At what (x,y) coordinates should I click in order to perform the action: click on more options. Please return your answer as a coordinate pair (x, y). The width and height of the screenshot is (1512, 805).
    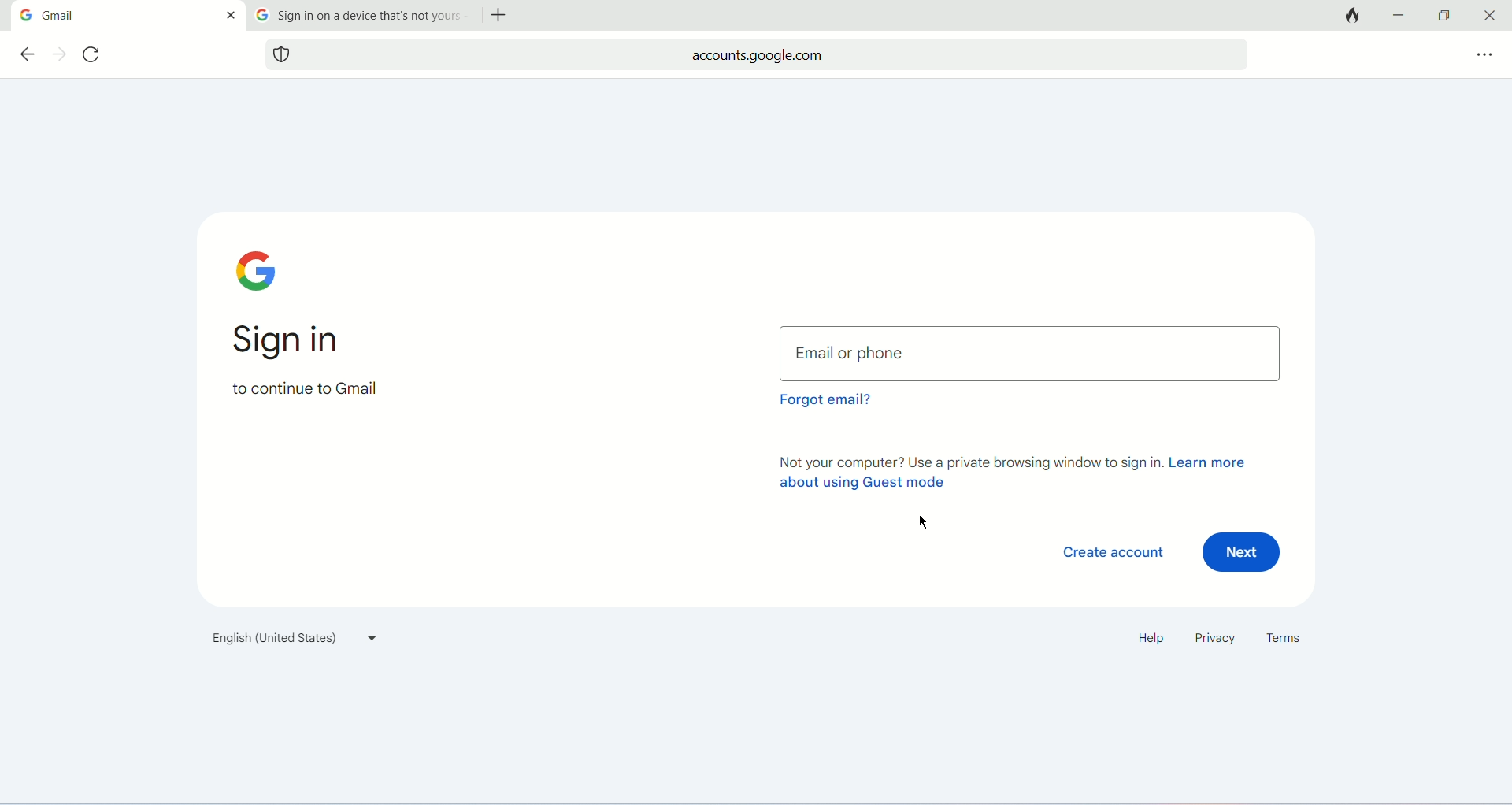
    Looking at the image, I should click on (1482, 54).